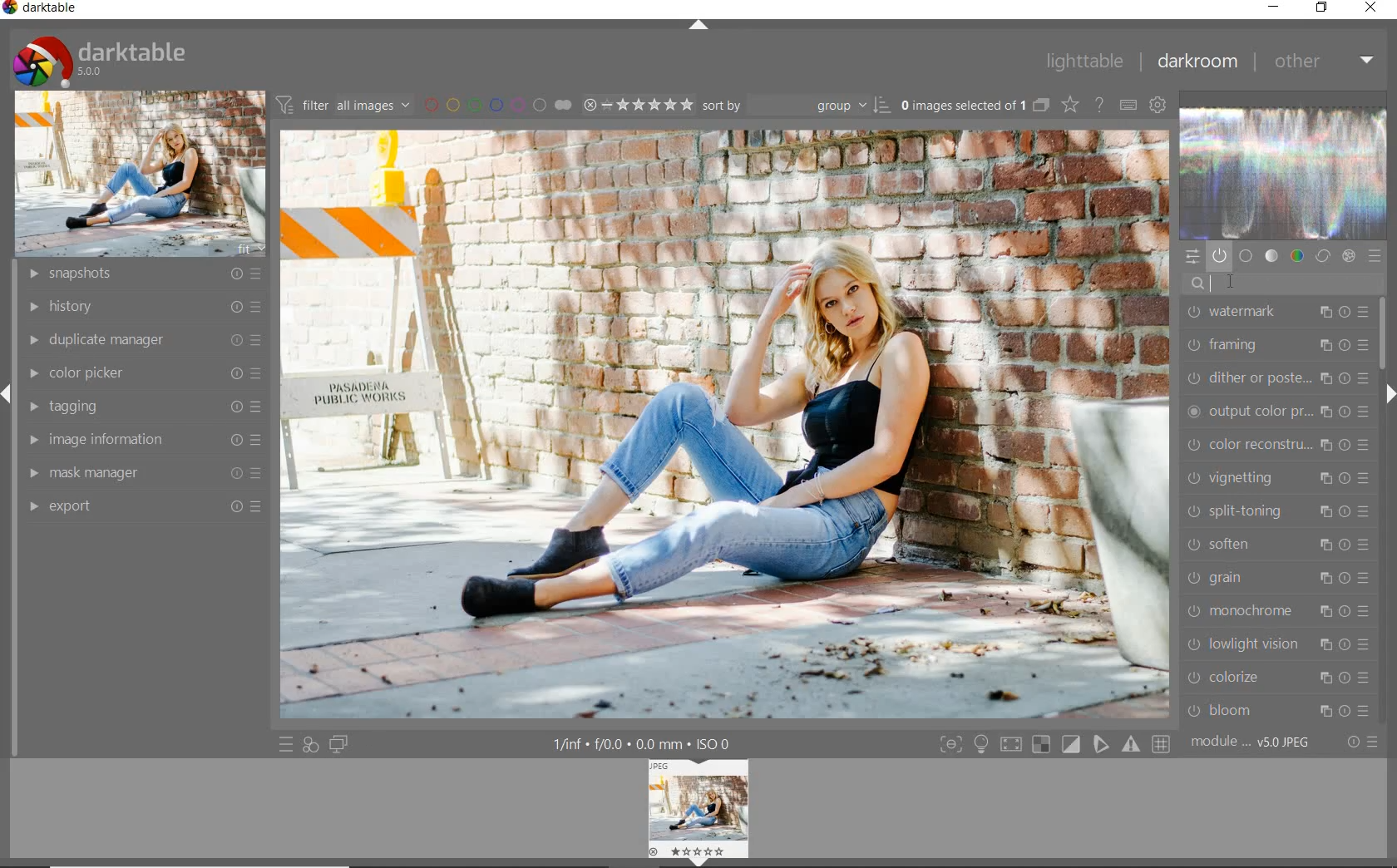 This screenshot has width=1397, height=868. What do you see at coordinates (1275, 313) in the screenshot?
I see `watermark` at bounding box center [1275, 313].